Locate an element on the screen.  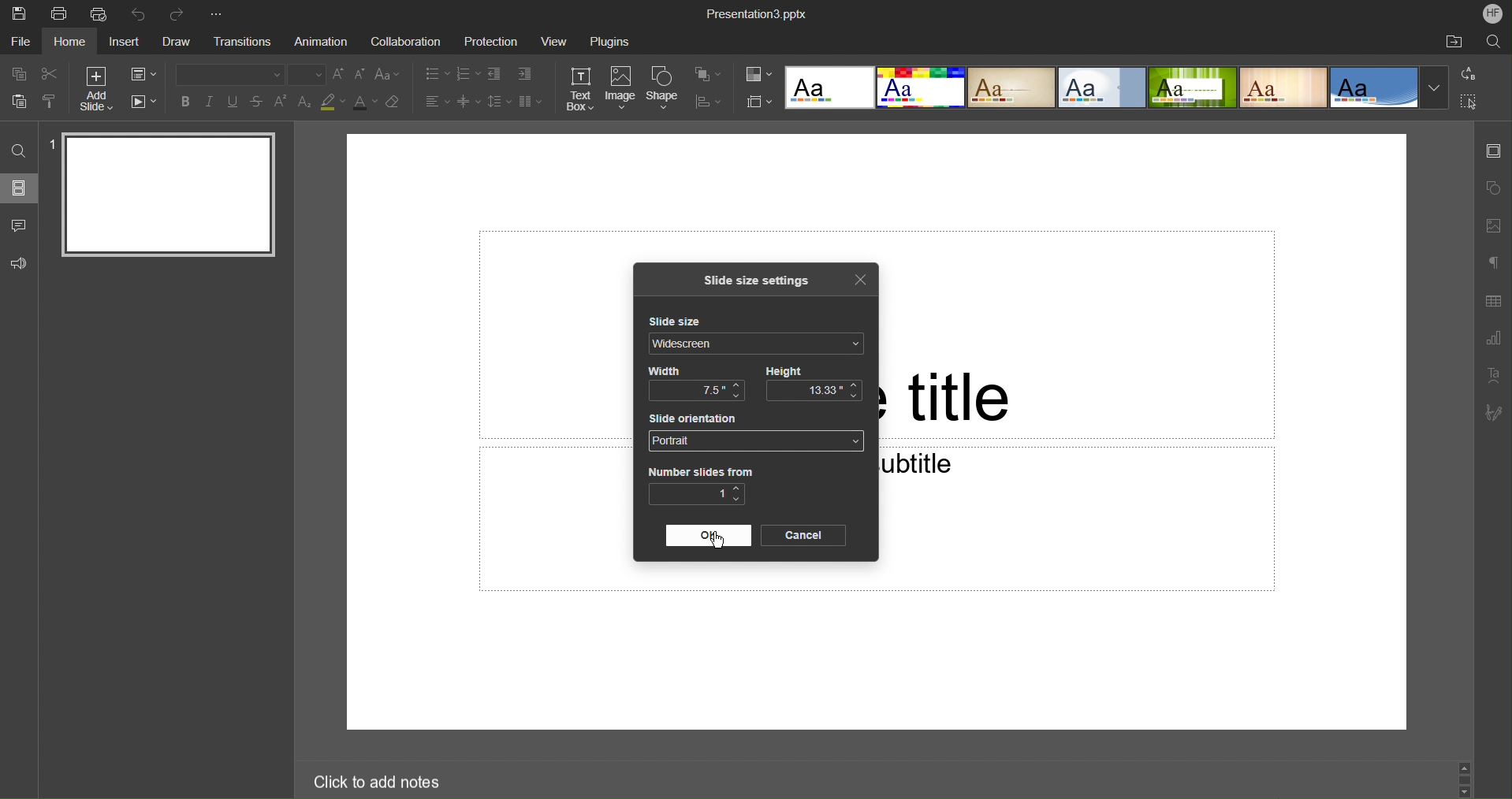
Numbered List is located at coordinates (467, 73).